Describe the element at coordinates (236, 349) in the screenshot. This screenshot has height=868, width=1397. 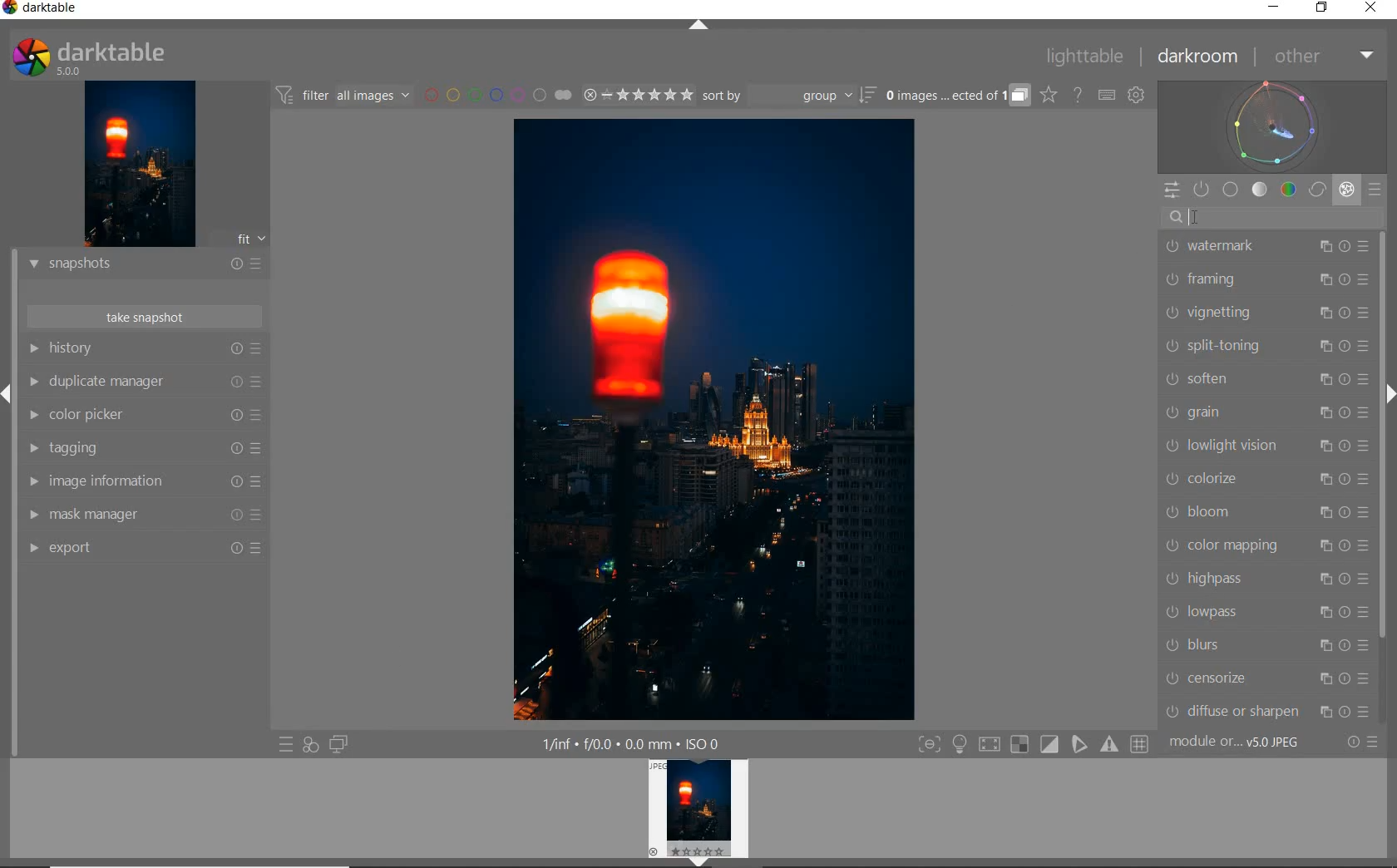
I see `reset` at that location.